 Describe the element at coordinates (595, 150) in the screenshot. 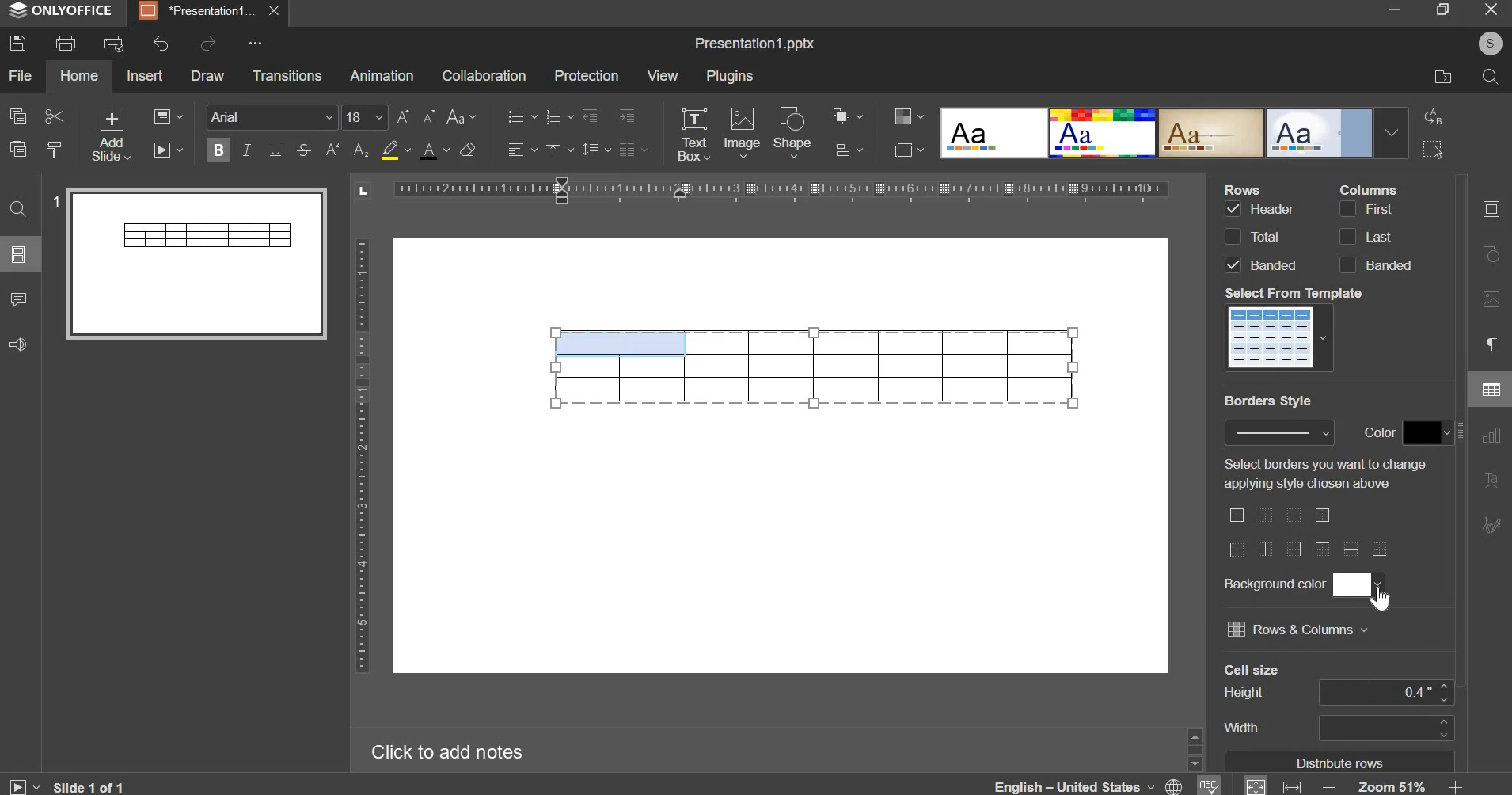

I see `line spacing` at that location.